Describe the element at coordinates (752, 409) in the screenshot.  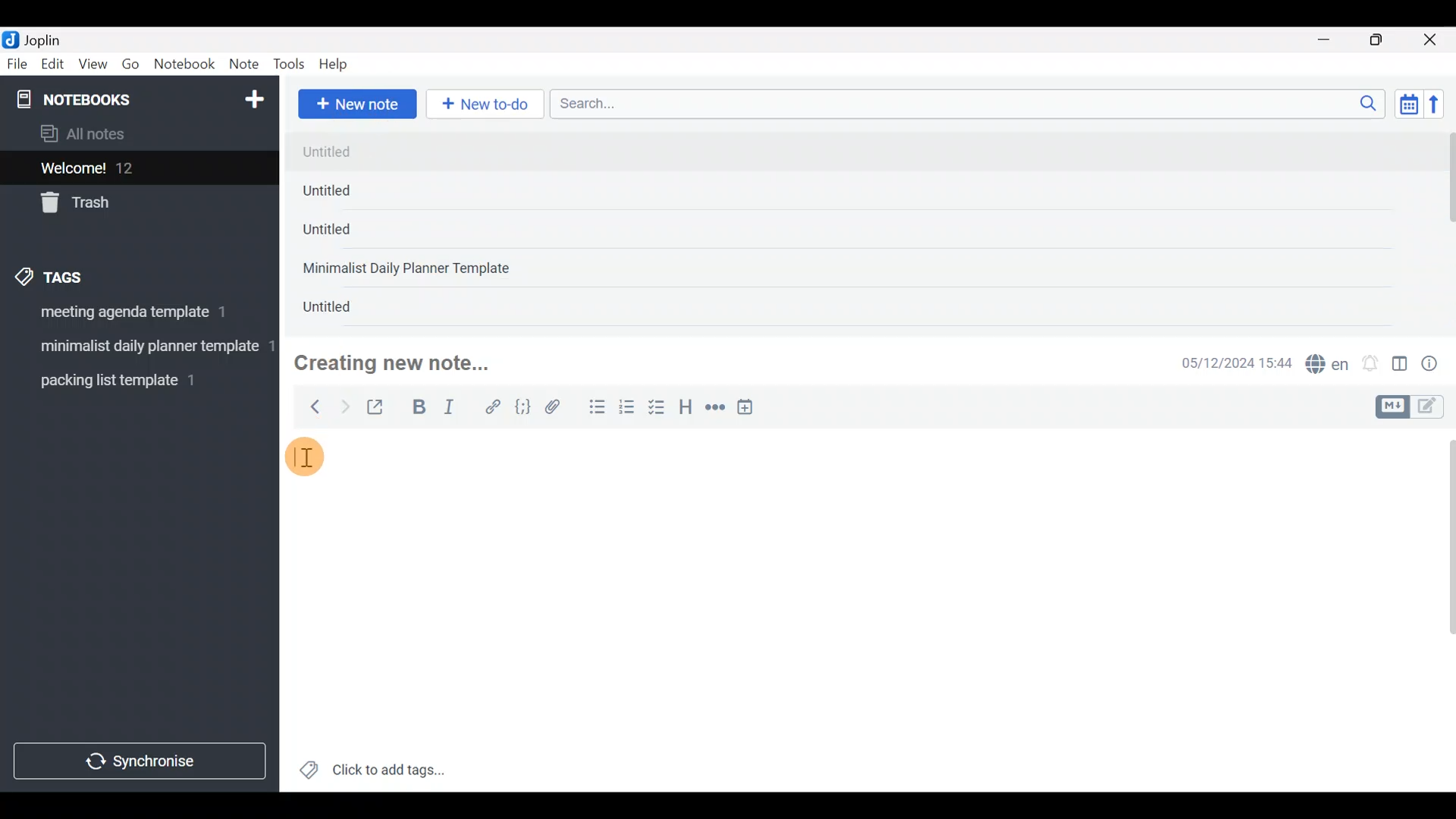
I see `Insert time` at that location.